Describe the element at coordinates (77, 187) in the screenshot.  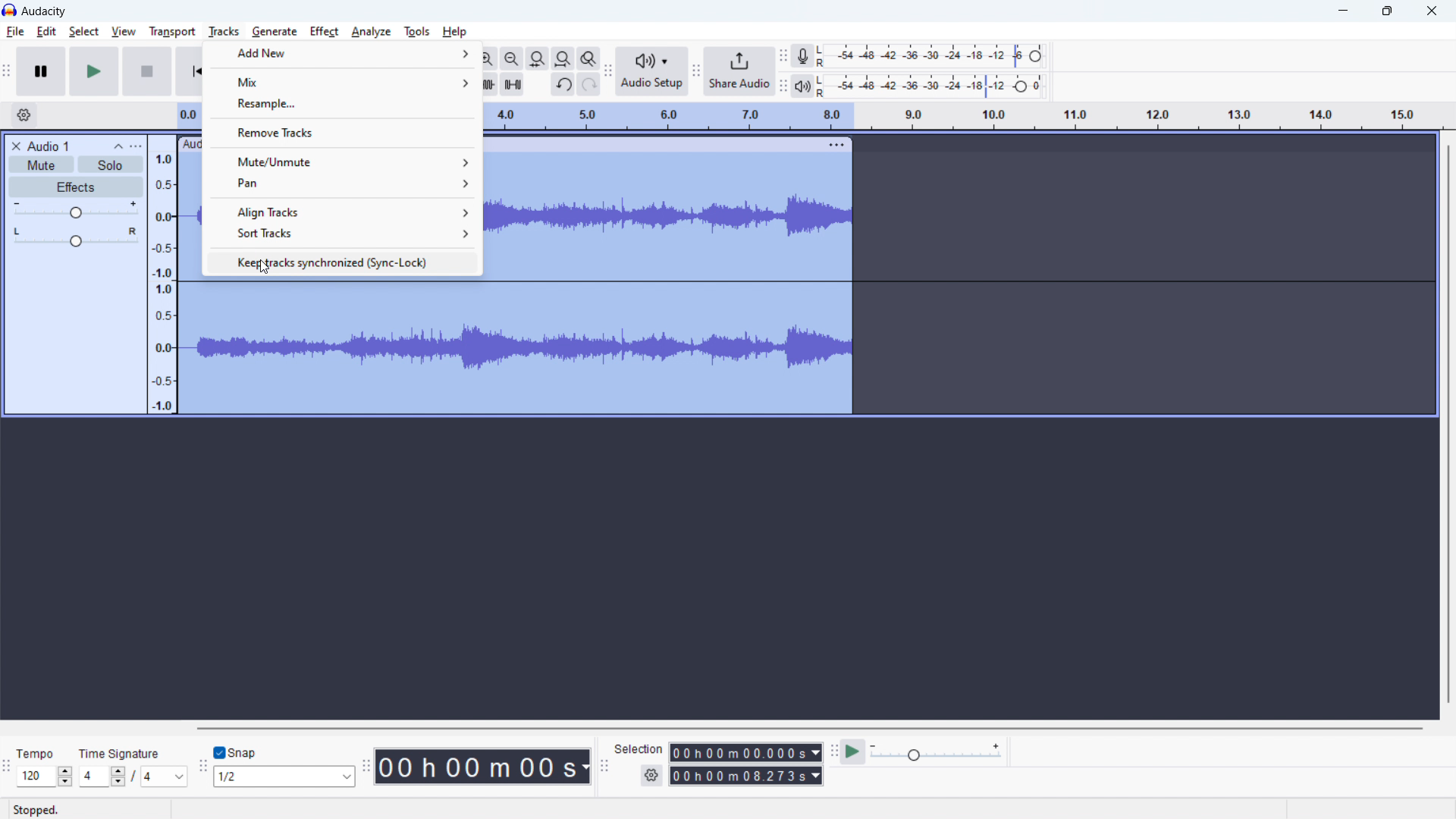
I see `effects` at that location.